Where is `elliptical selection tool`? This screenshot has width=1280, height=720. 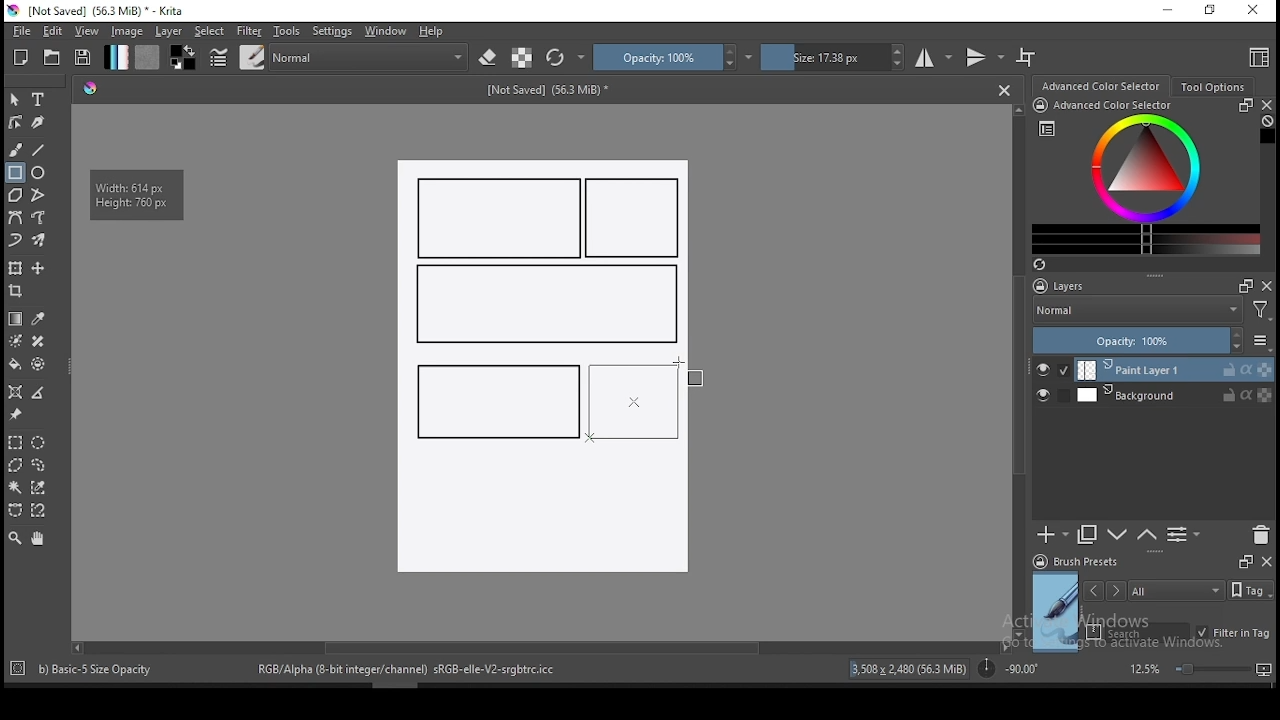 elliptical selection tool is located at coordinates (38, 443).